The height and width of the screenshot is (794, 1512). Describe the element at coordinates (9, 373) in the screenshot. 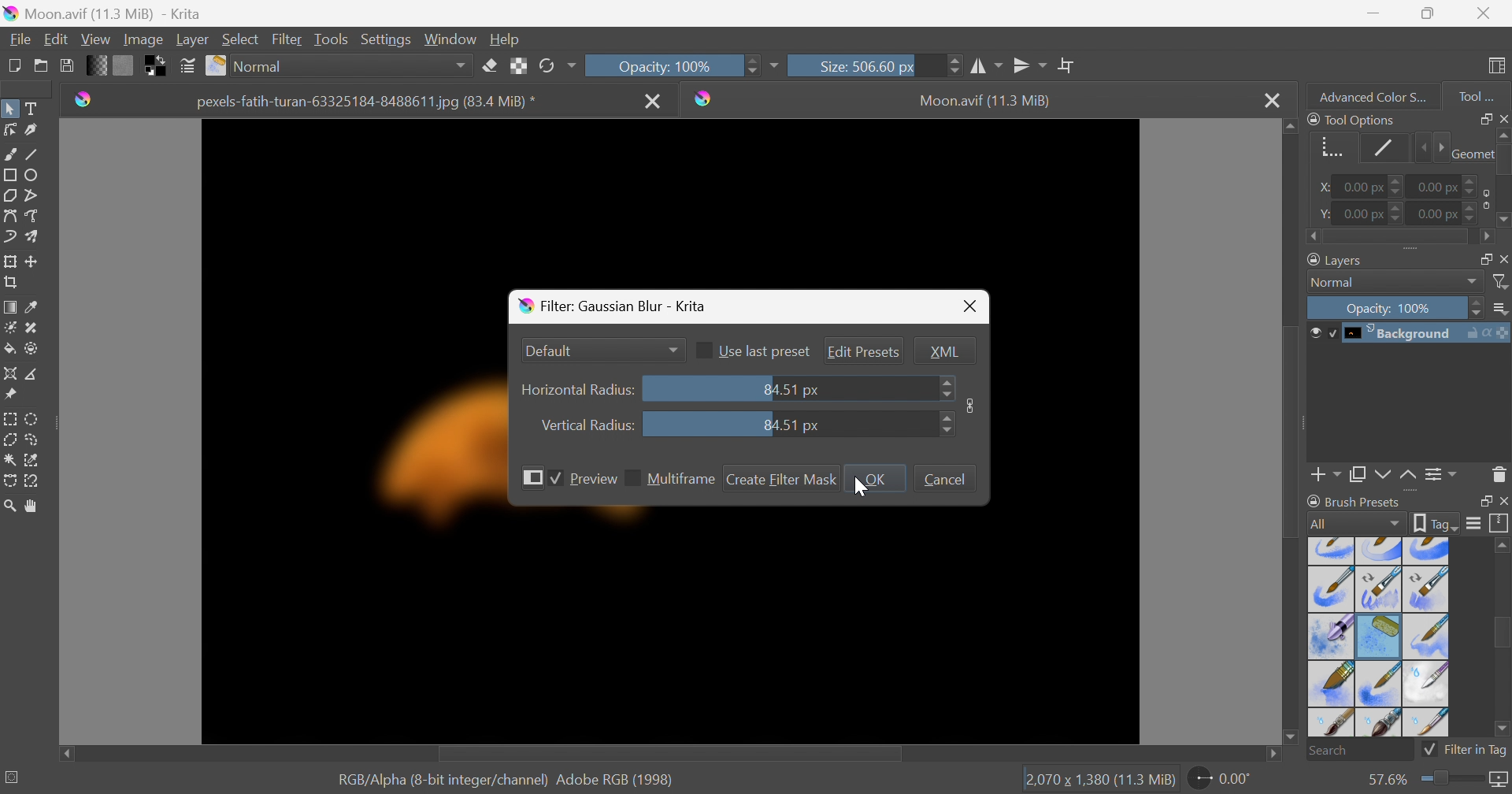

I see `Assistant tool` at that location.